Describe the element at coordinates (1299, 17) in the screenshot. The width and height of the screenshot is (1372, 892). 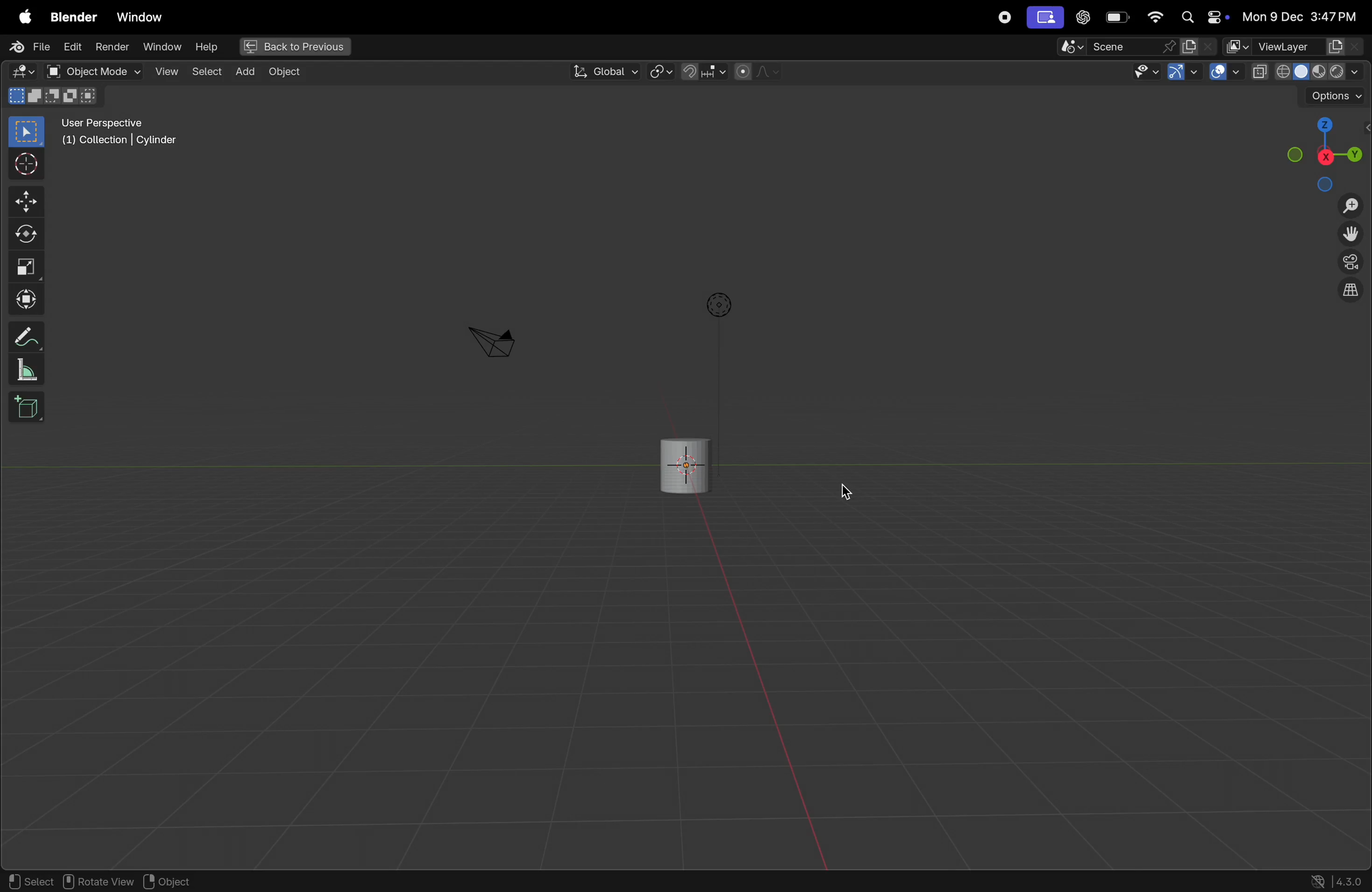
I see `date and time` at that location.